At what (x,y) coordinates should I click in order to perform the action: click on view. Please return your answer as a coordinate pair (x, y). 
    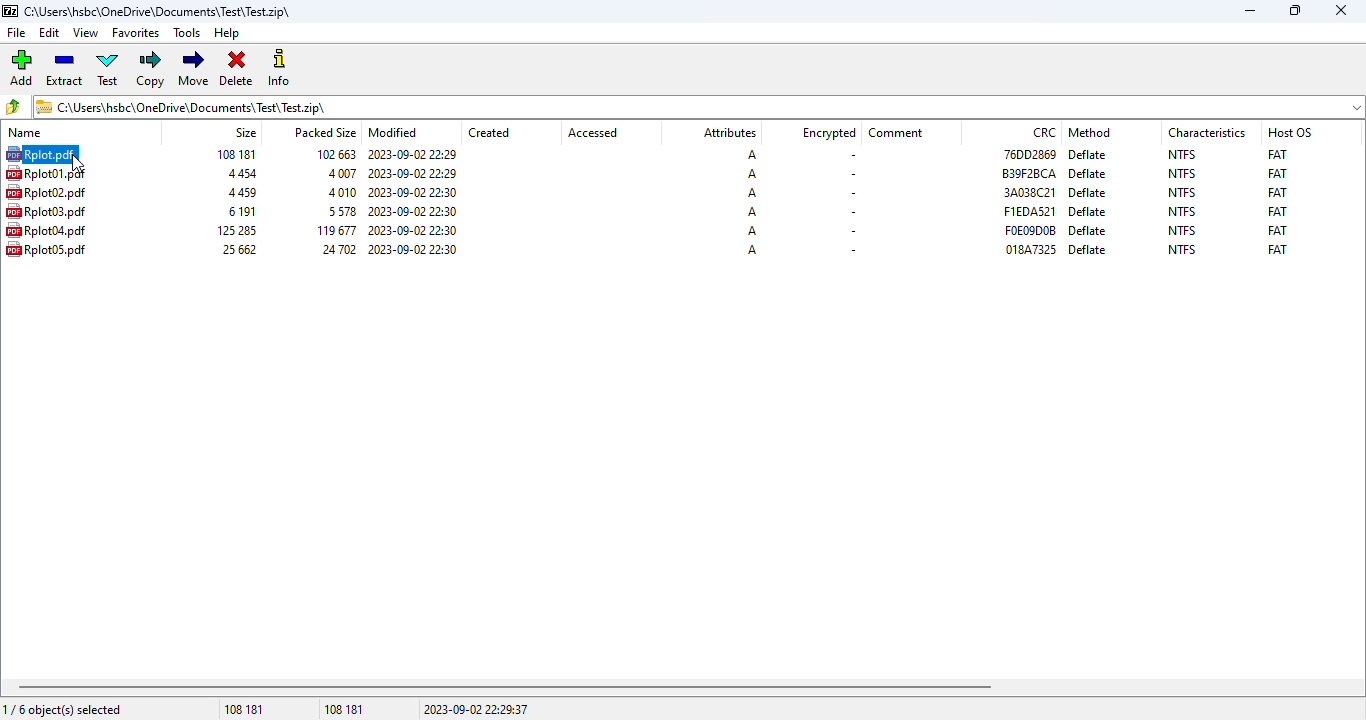
    Looking at the image, I should click on (86, 33).